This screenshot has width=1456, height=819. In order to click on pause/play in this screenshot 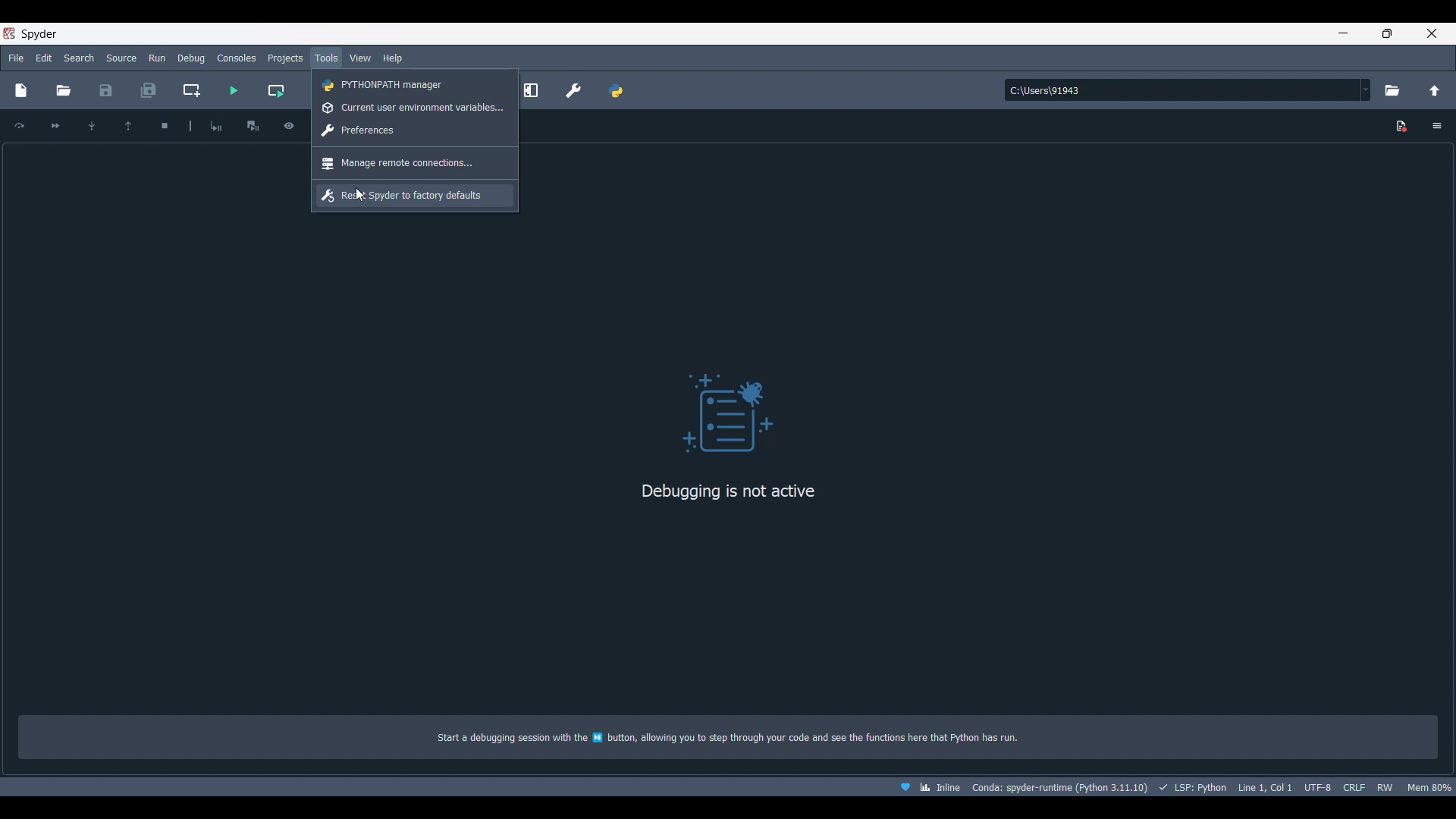, I will do `click(253, 124)`.